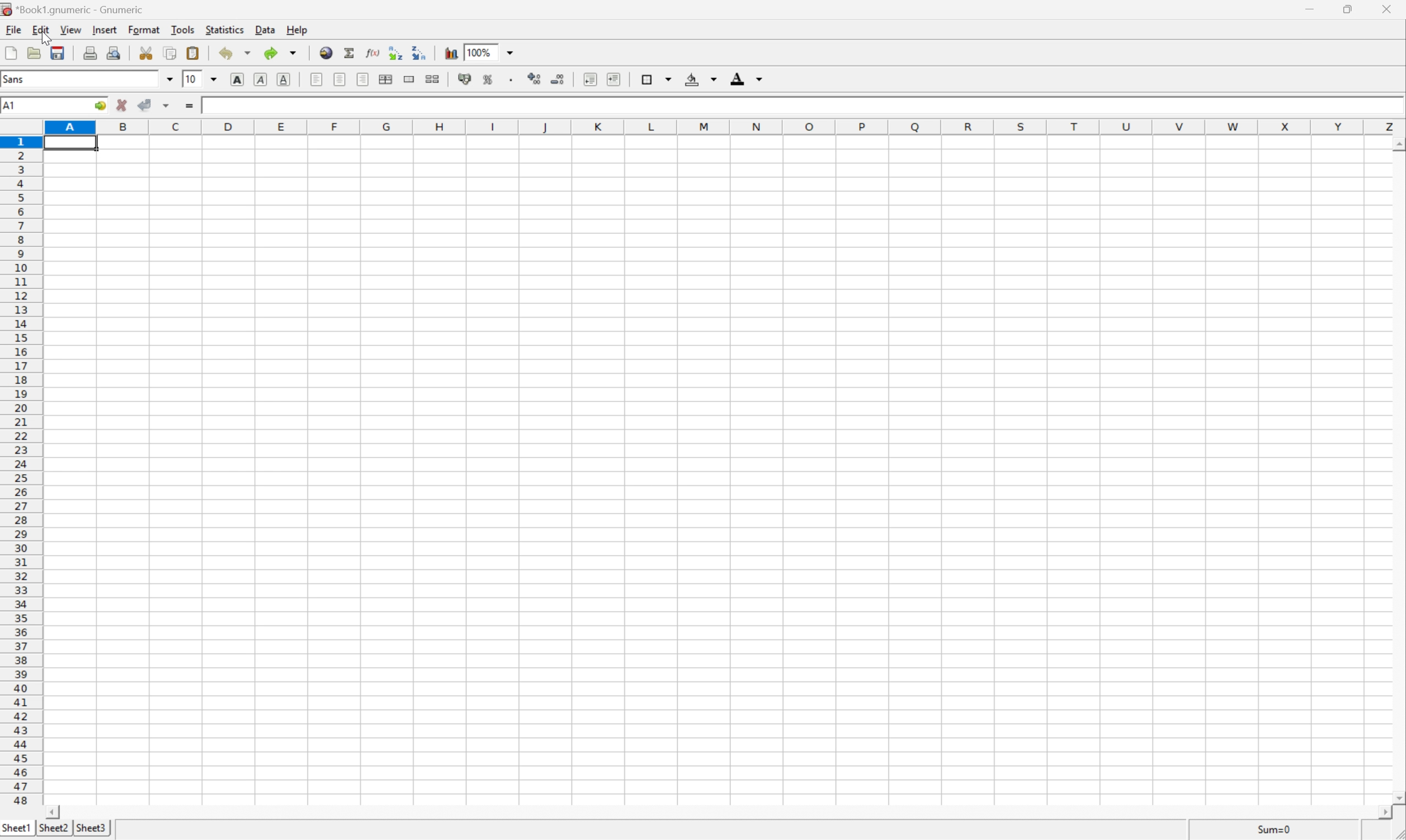 The height and width of the screenshot is (840, 1406). Describe the element at coordinates (282, 53) in the screenshot. I see `redo` at that location.